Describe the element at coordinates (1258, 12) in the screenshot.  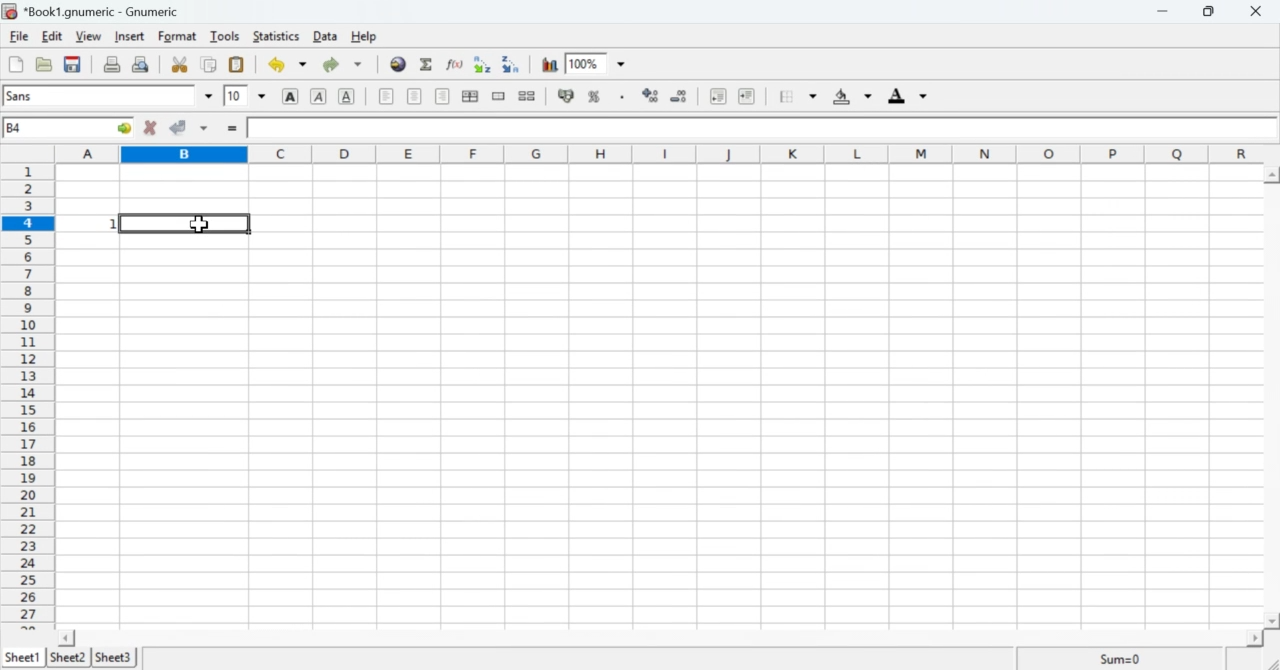
I see `Cross` at that location.